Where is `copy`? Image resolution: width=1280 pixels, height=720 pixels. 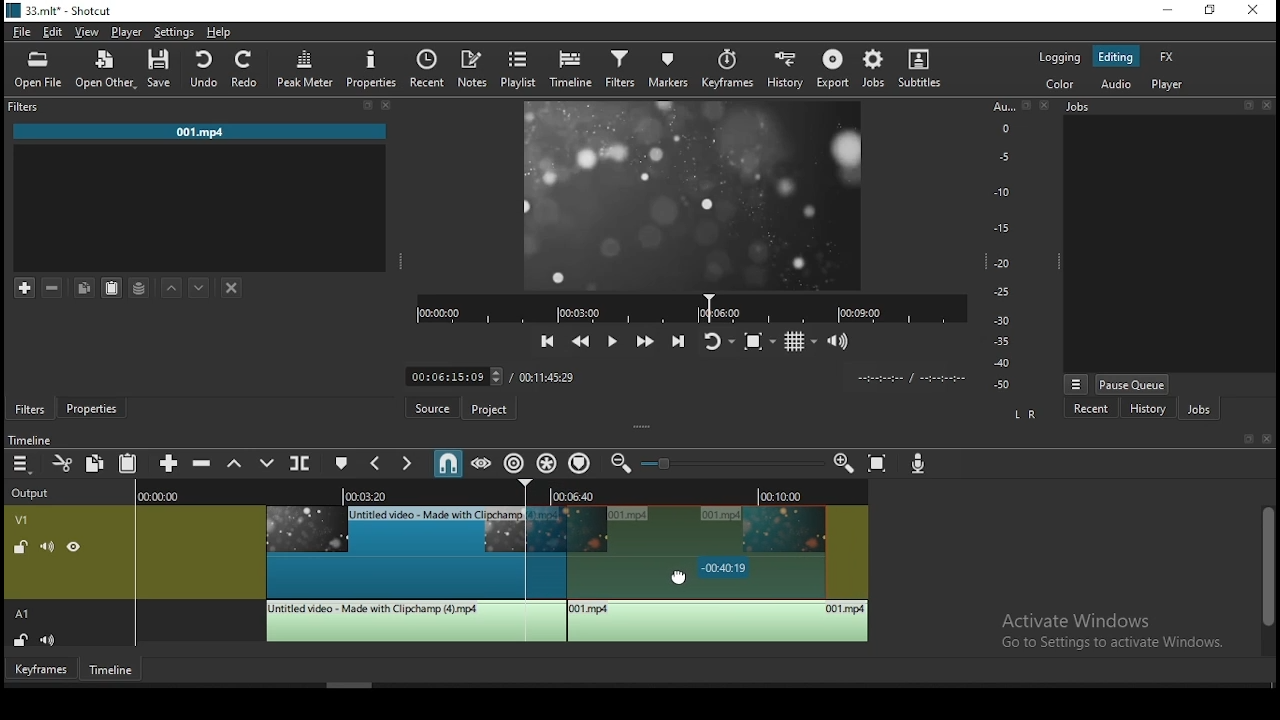 copy is located at coordinates (99, 463).